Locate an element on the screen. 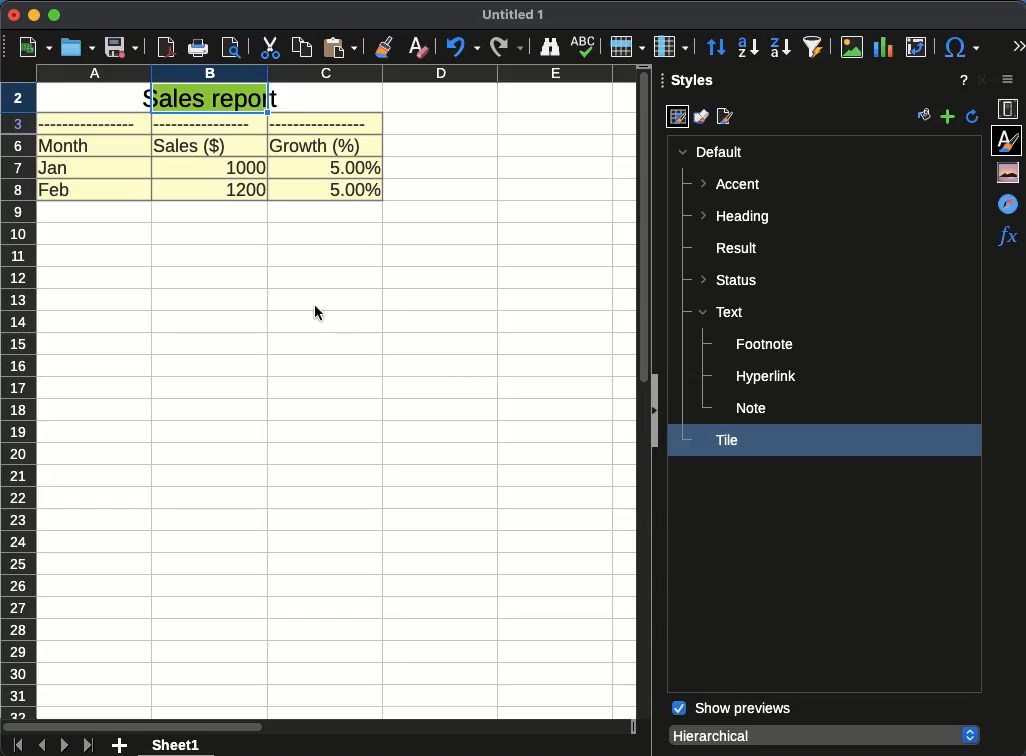 The image size is (1026, 756). feb is located at coordinates (55, 190).